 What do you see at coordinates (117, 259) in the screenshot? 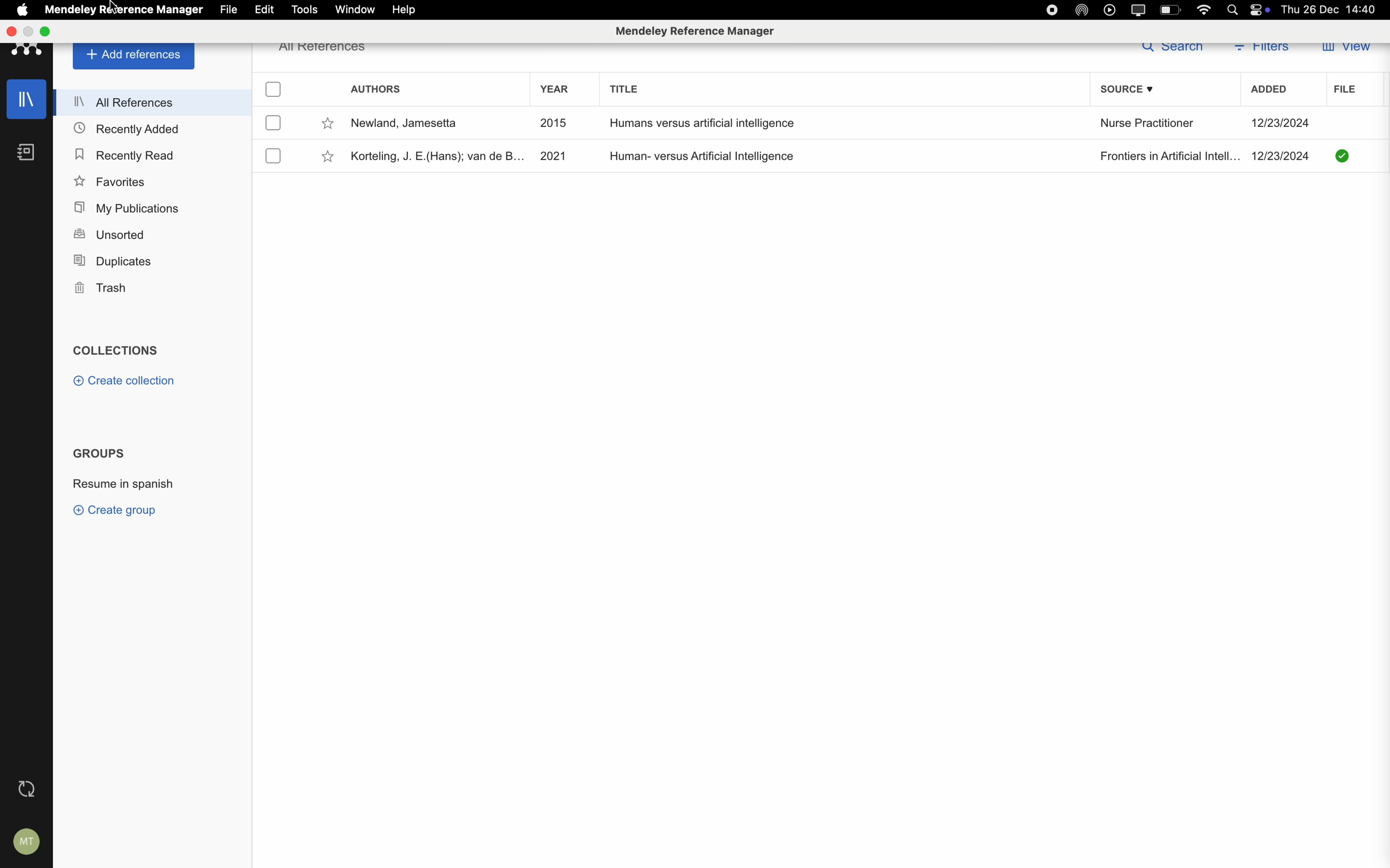
I see `duplicates` at bounding box center [117, 259].